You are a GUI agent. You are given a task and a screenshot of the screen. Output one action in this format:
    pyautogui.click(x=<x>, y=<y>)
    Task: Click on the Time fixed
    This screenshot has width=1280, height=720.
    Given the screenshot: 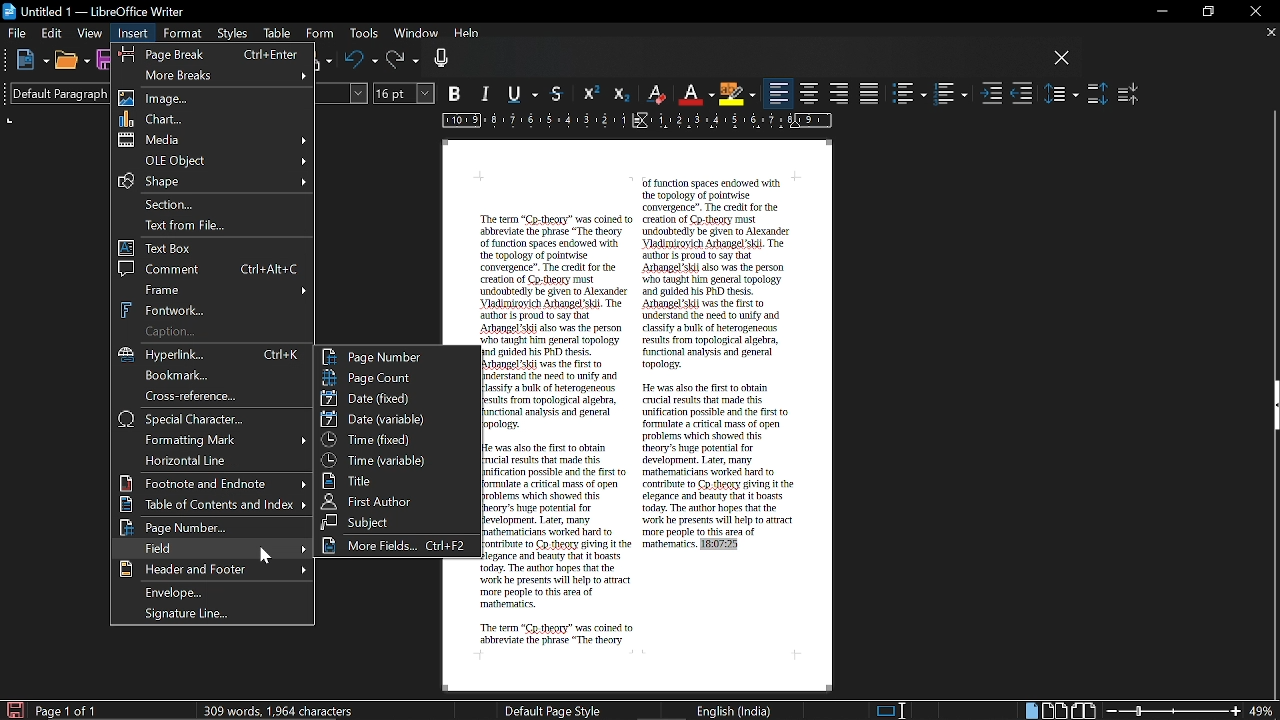 What is the action you would take?
    pyautogui.click(x=395, y=439)
    